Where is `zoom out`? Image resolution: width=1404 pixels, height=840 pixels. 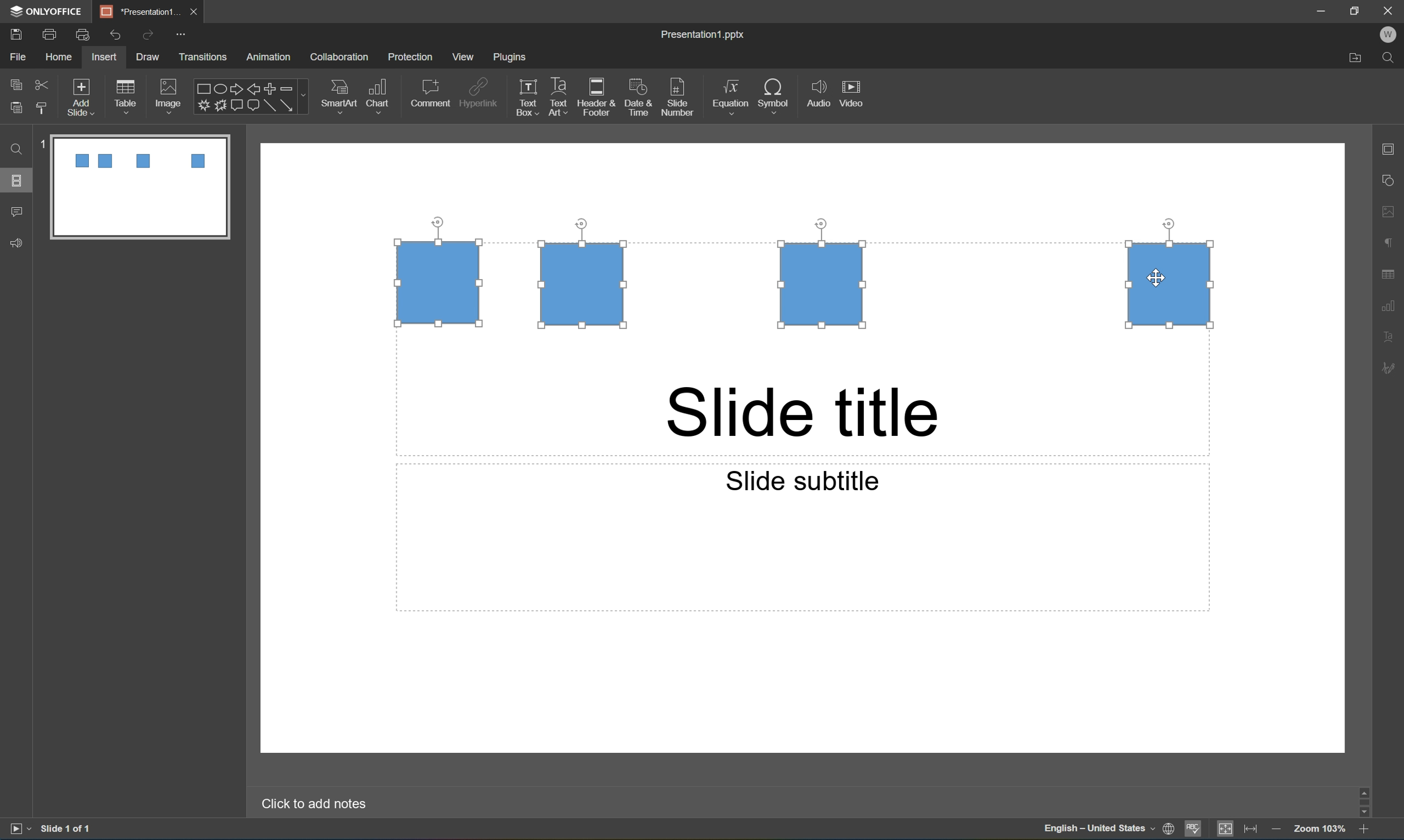
zoom out is located at coordinates (1277, 831).